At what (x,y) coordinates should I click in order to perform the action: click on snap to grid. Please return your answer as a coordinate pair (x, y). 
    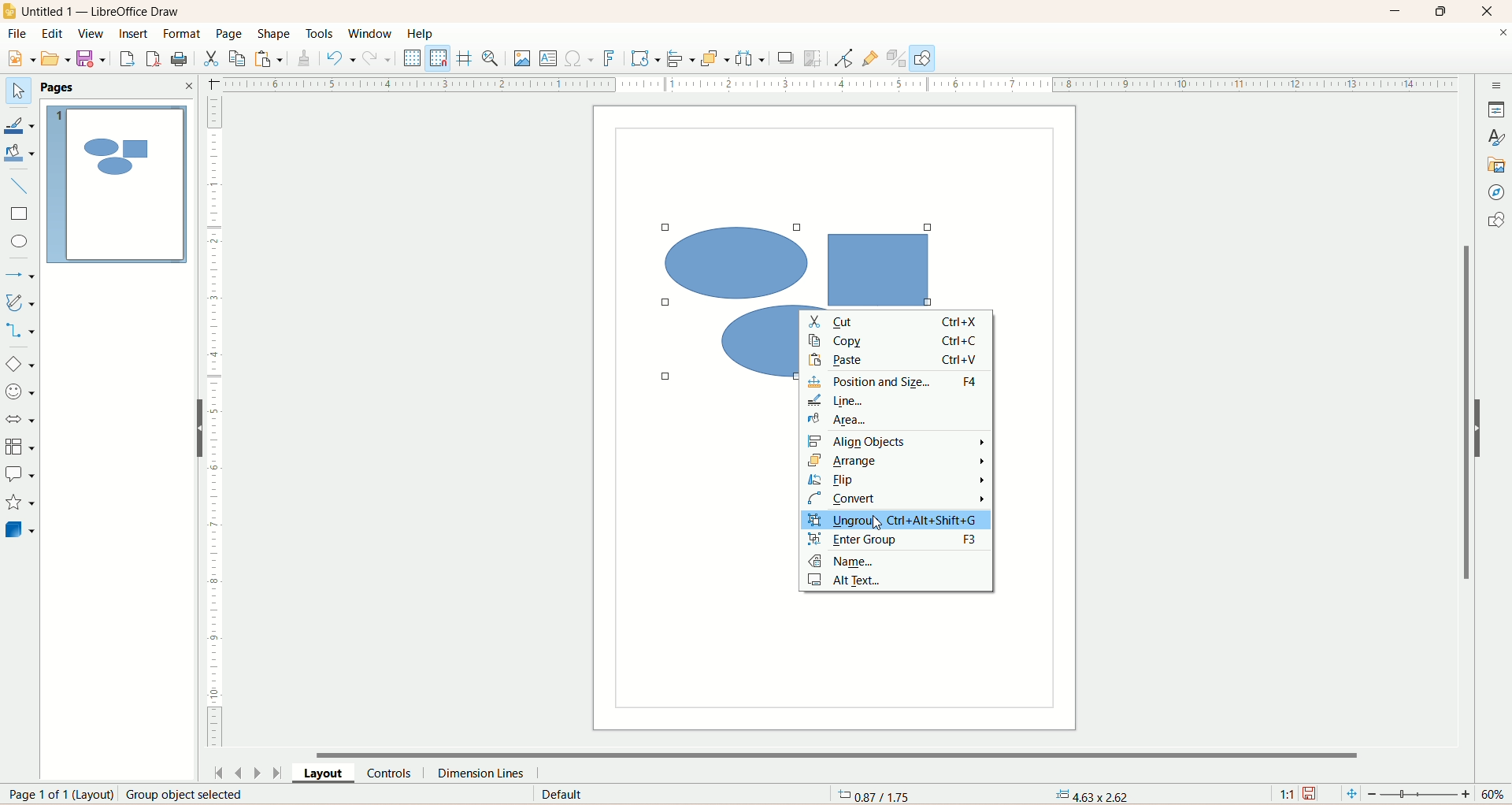
    Looking at the image, I should click on (440, 59).